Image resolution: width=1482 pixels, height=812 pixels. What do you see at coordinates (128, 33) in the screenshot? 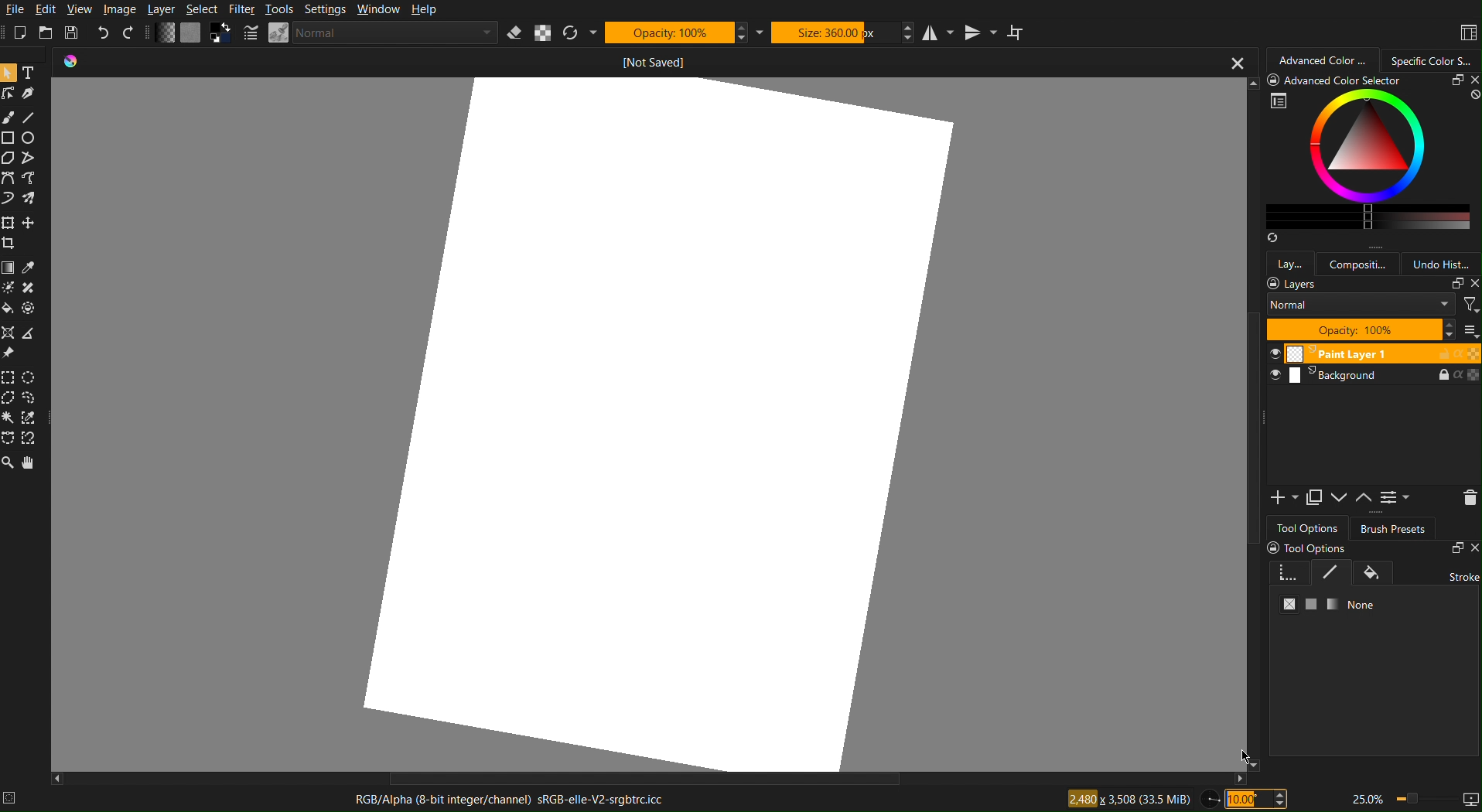
I see `Redo` at bounding box center [128, 33].